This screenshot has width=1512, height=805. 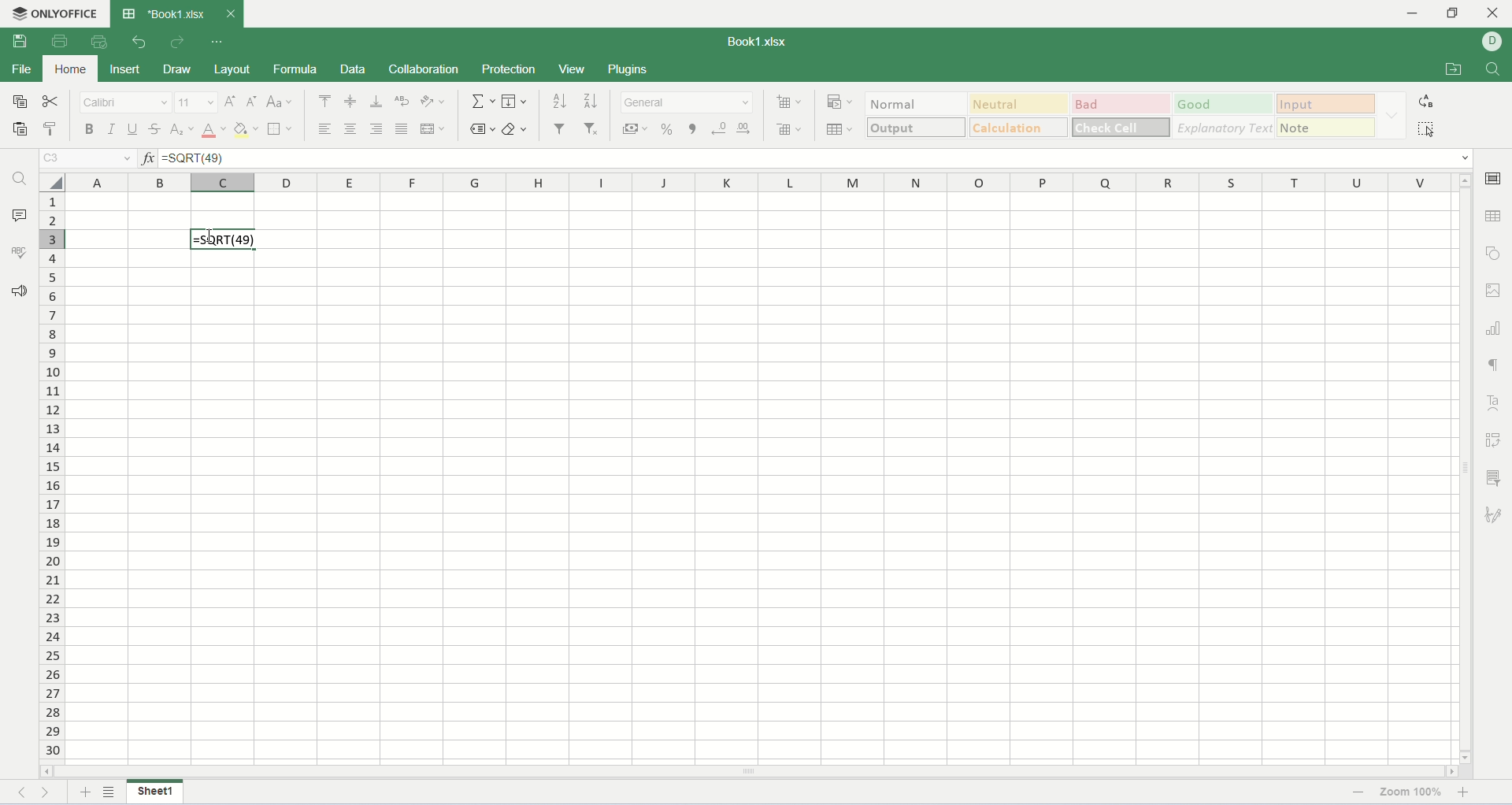 I want to click on plugins, so click(x=647, y=68).